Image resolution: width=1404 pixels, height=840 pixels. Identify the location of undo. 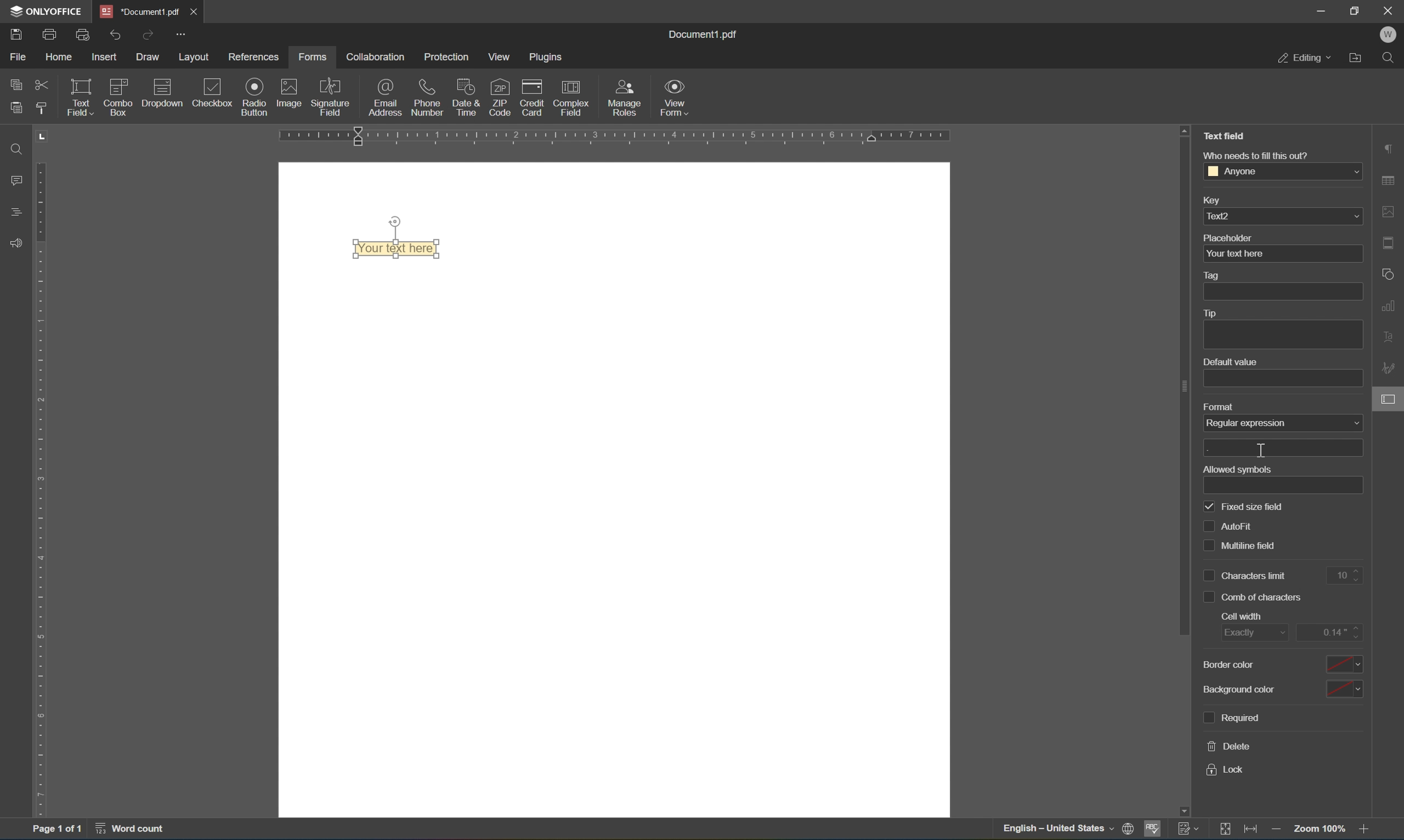
(116, 35).